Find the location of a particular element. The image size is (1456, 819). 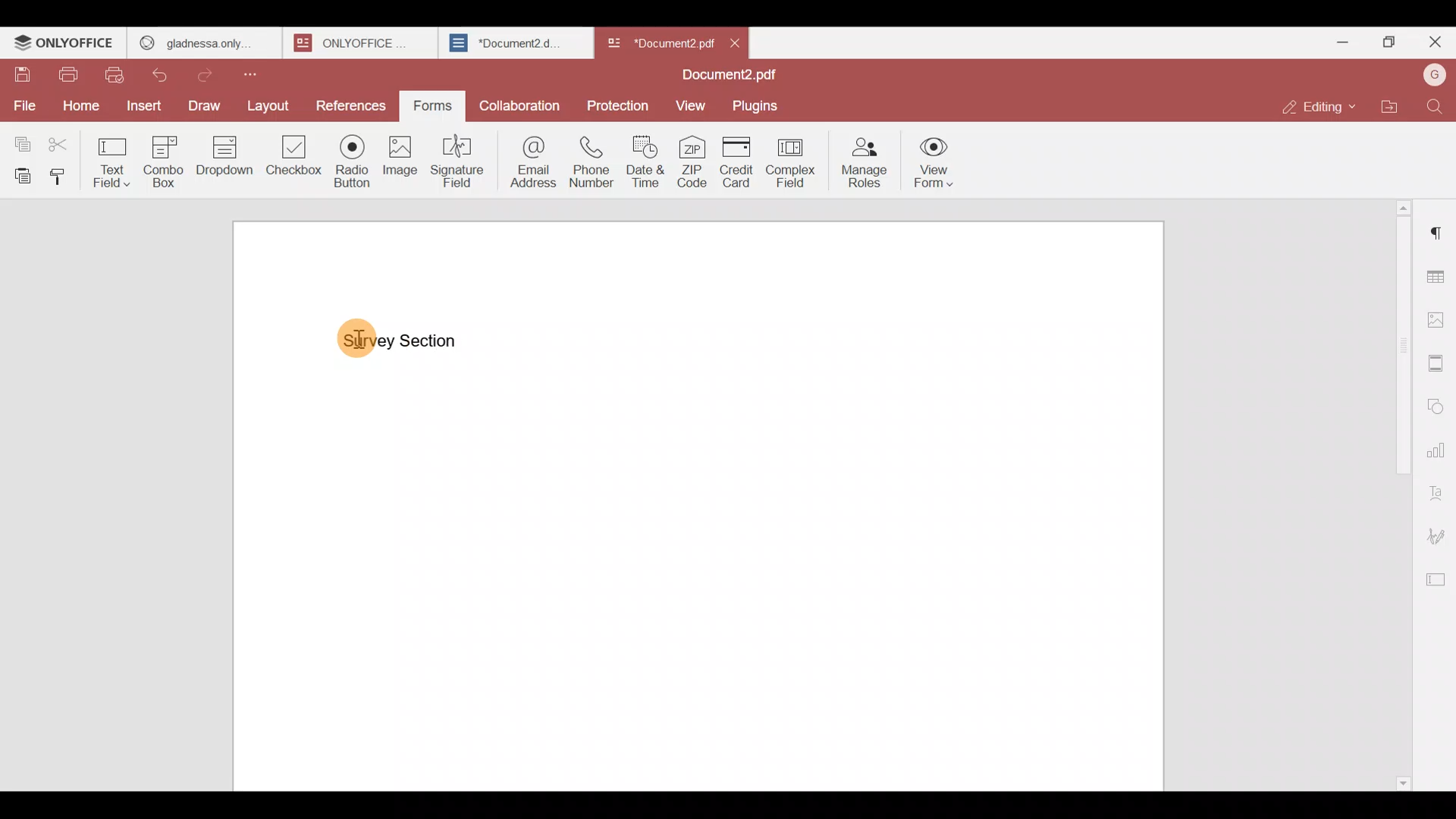

Draw is located at coordinates (204, 105).